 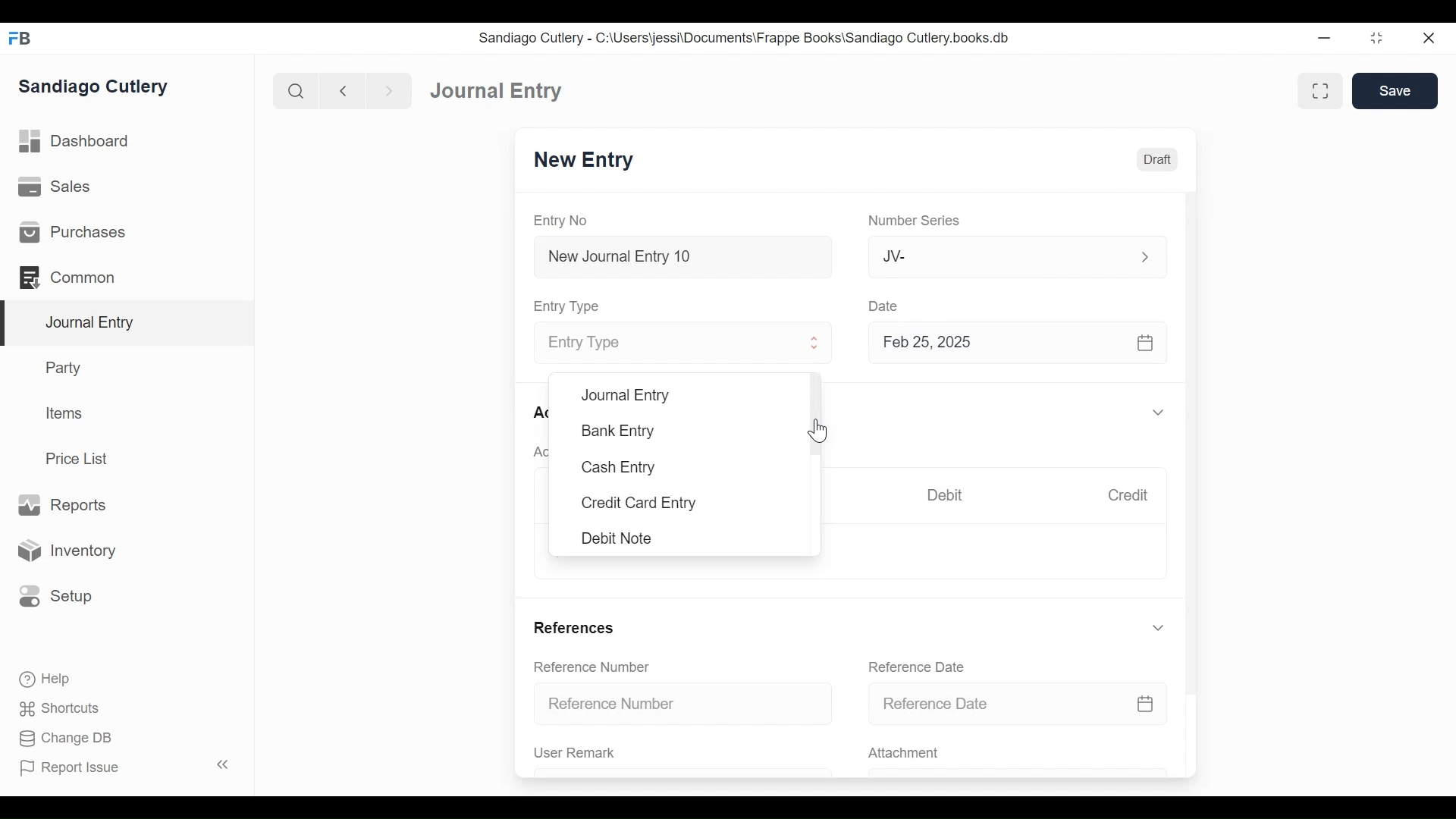 What do you see at coordinates (619, 467) in the screenshot?
I see `Cash Entry` at bounding box center [619, 467].